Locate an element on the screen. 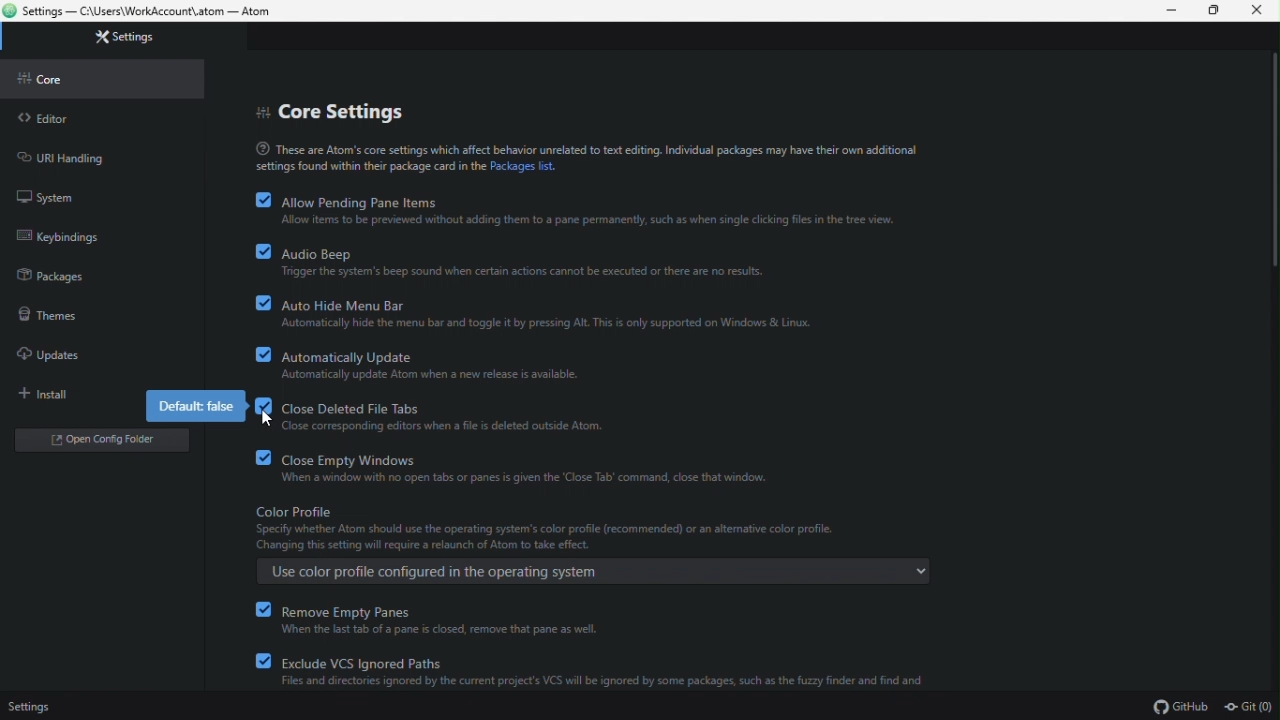 The image size is (1280, 720). system is located at coordinates (49, 196).